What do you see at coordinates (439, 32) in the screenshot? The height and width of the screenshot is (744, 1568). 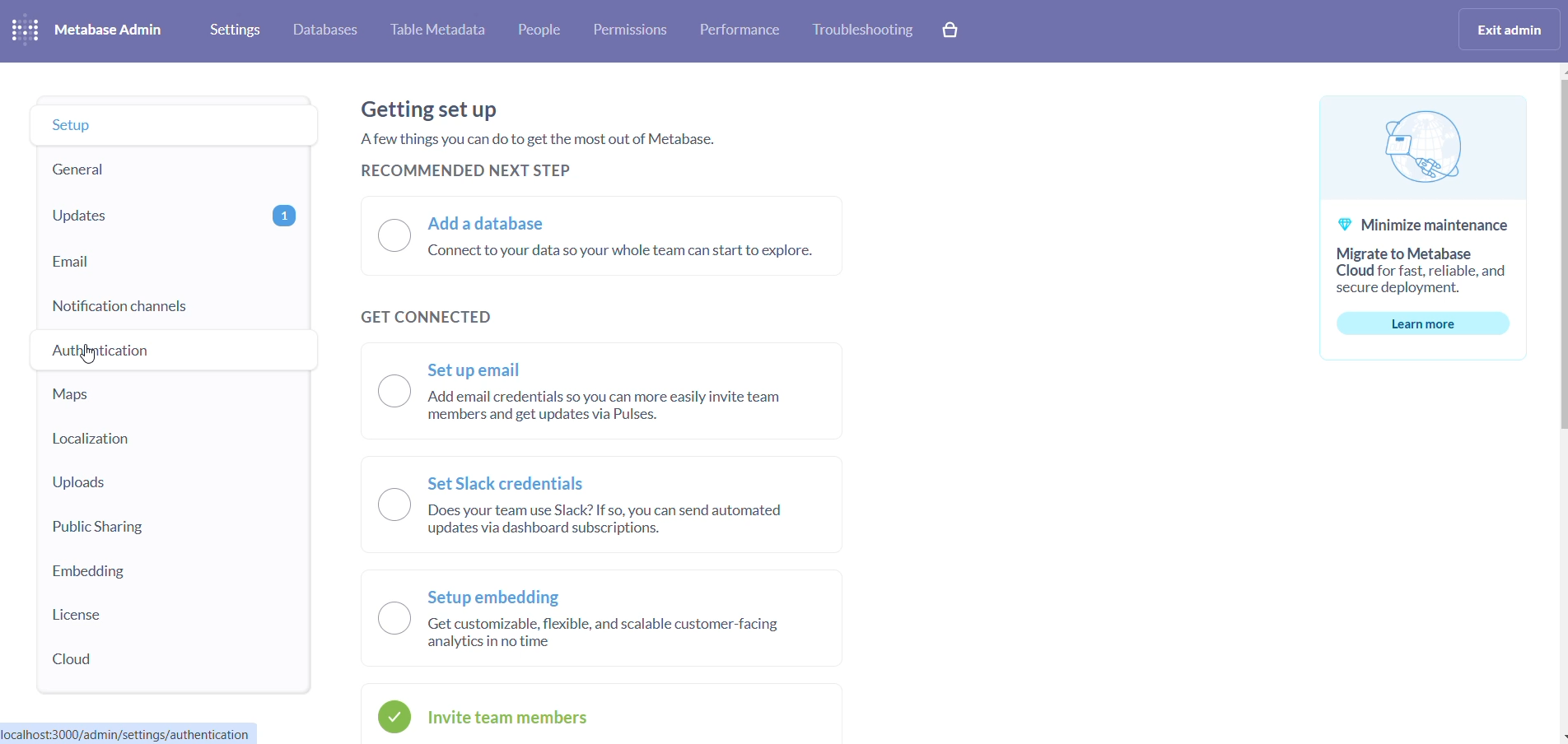 I see `Table metadata` at bounding box center [439, 32].